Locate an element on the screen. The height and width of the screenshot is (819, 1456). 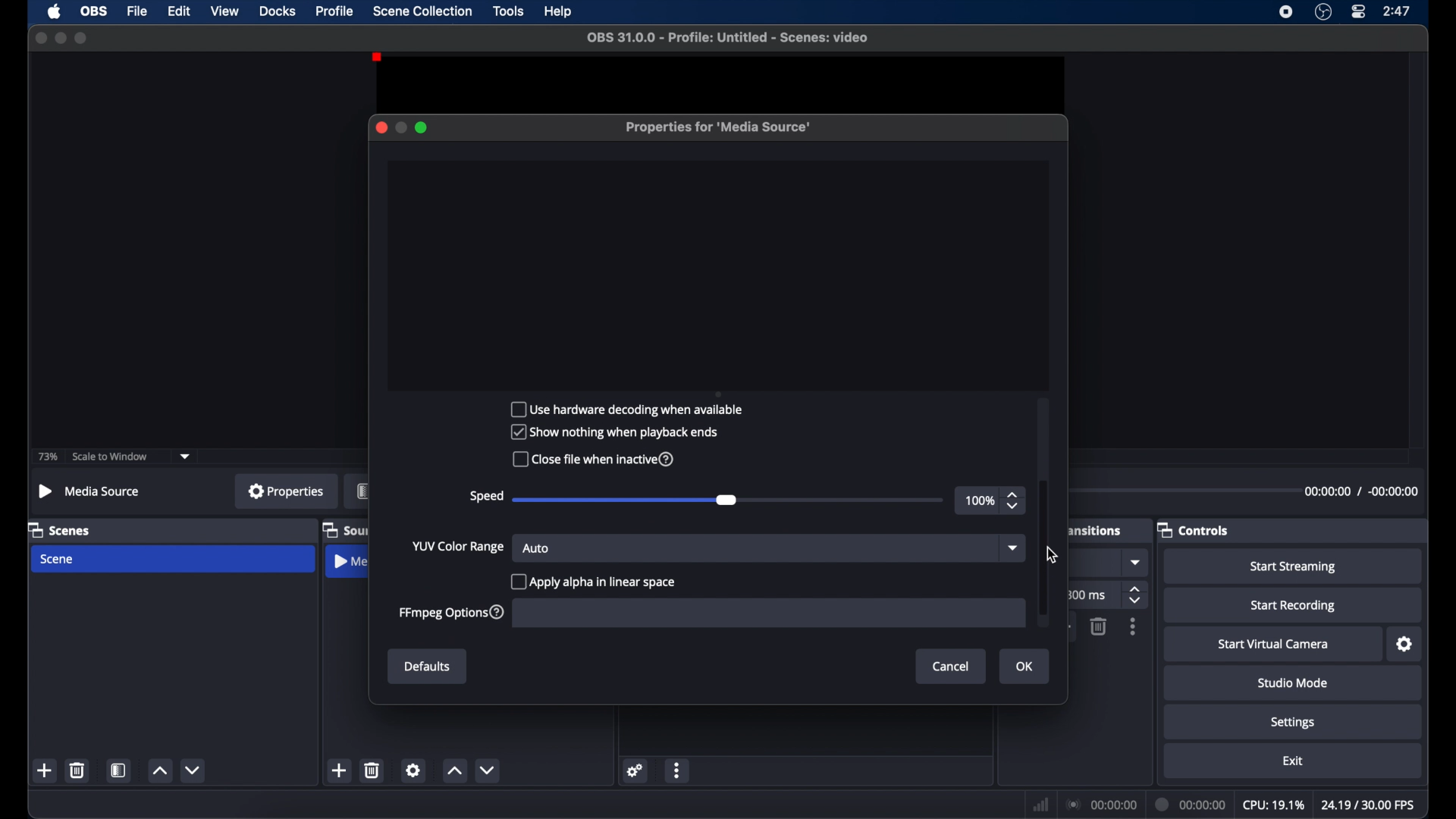
cpu is located at coordinates (1273, 805).